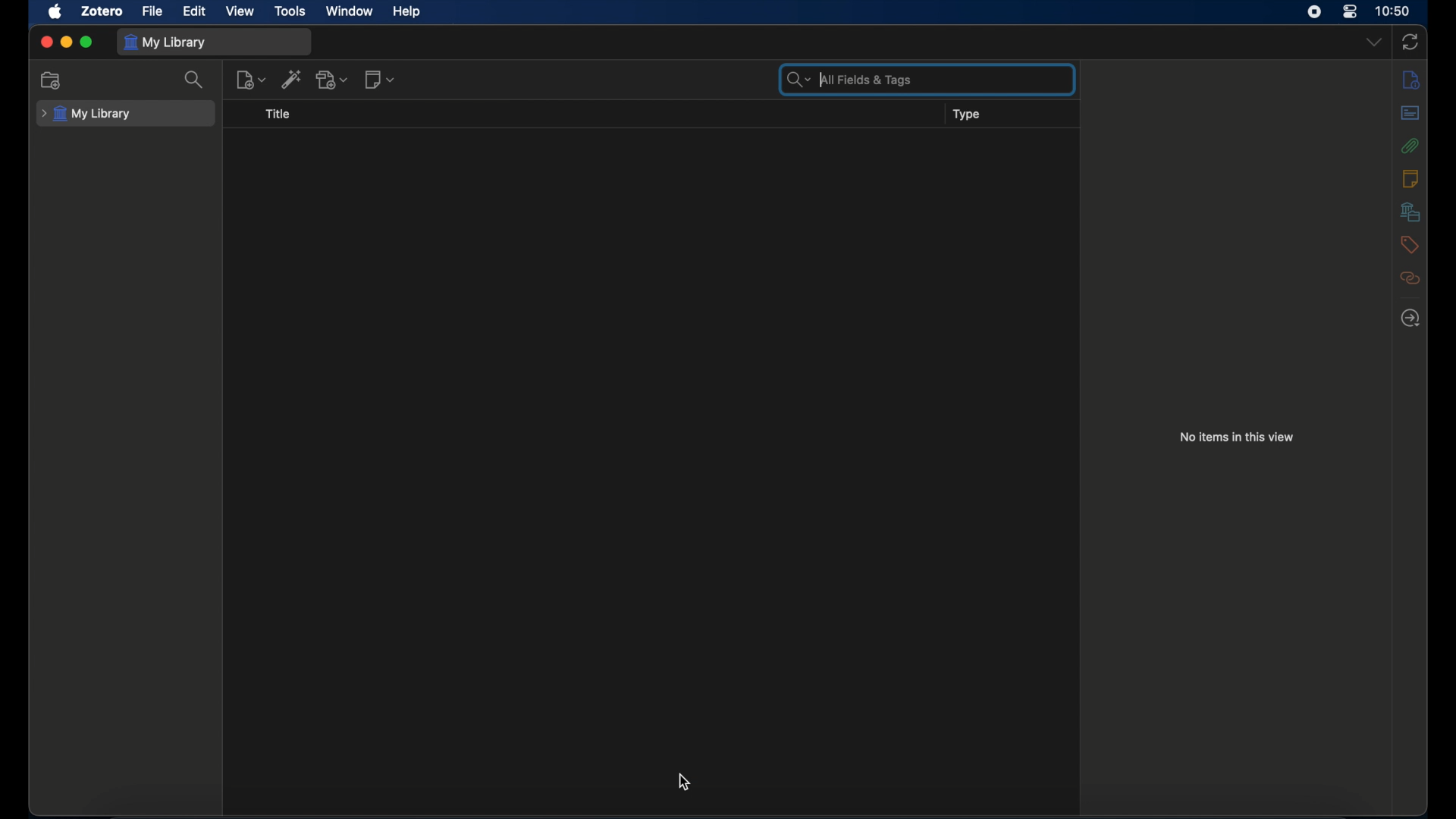 This screenshot has width=1456, height=819. What do you see at coordinates (406, 12) in the screenshot?
I see `help` at bounding box center [406, 12].